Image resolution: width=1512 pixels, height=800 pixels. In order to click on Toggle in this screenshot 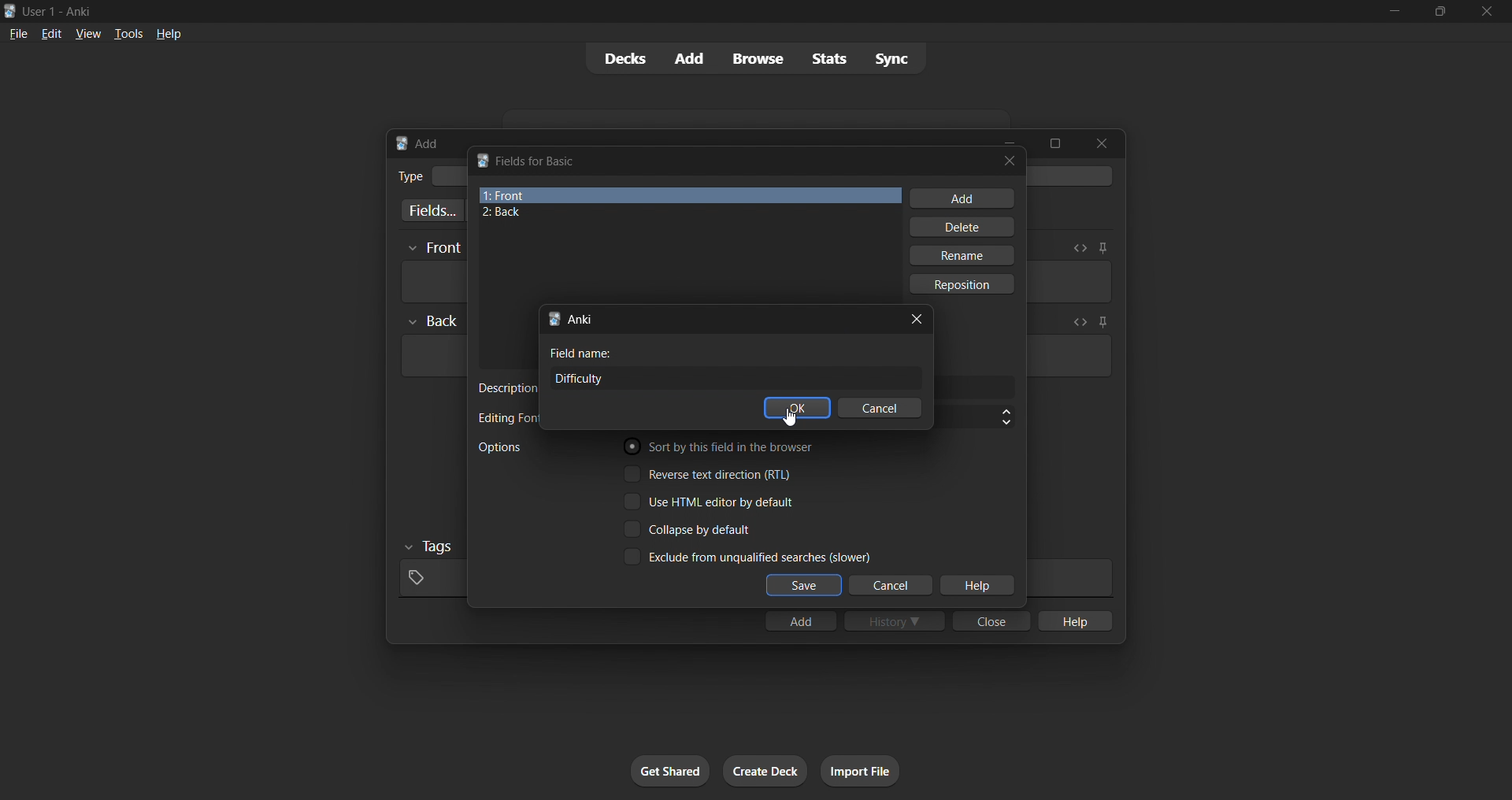, I will do `click(747, 556)`.